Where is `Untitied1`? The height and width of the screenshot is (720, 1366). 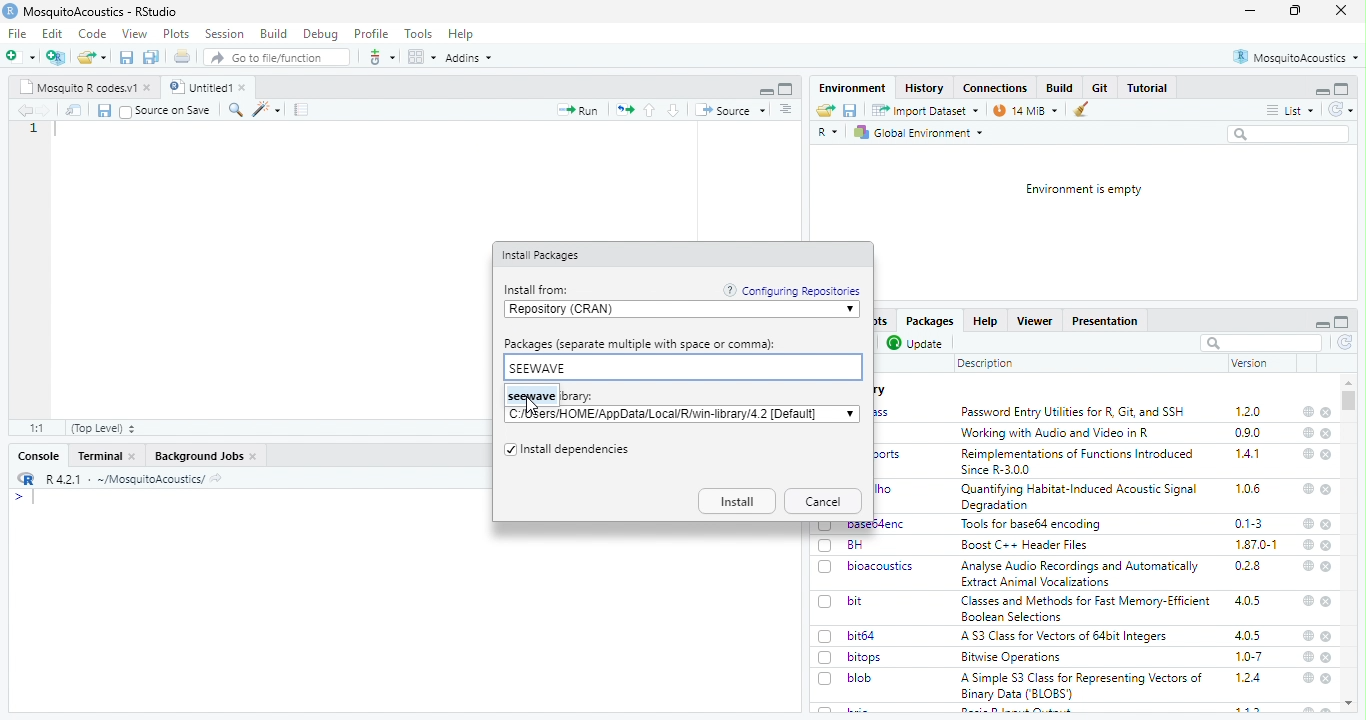
Untitied1 is located at coordinates (198, 87).